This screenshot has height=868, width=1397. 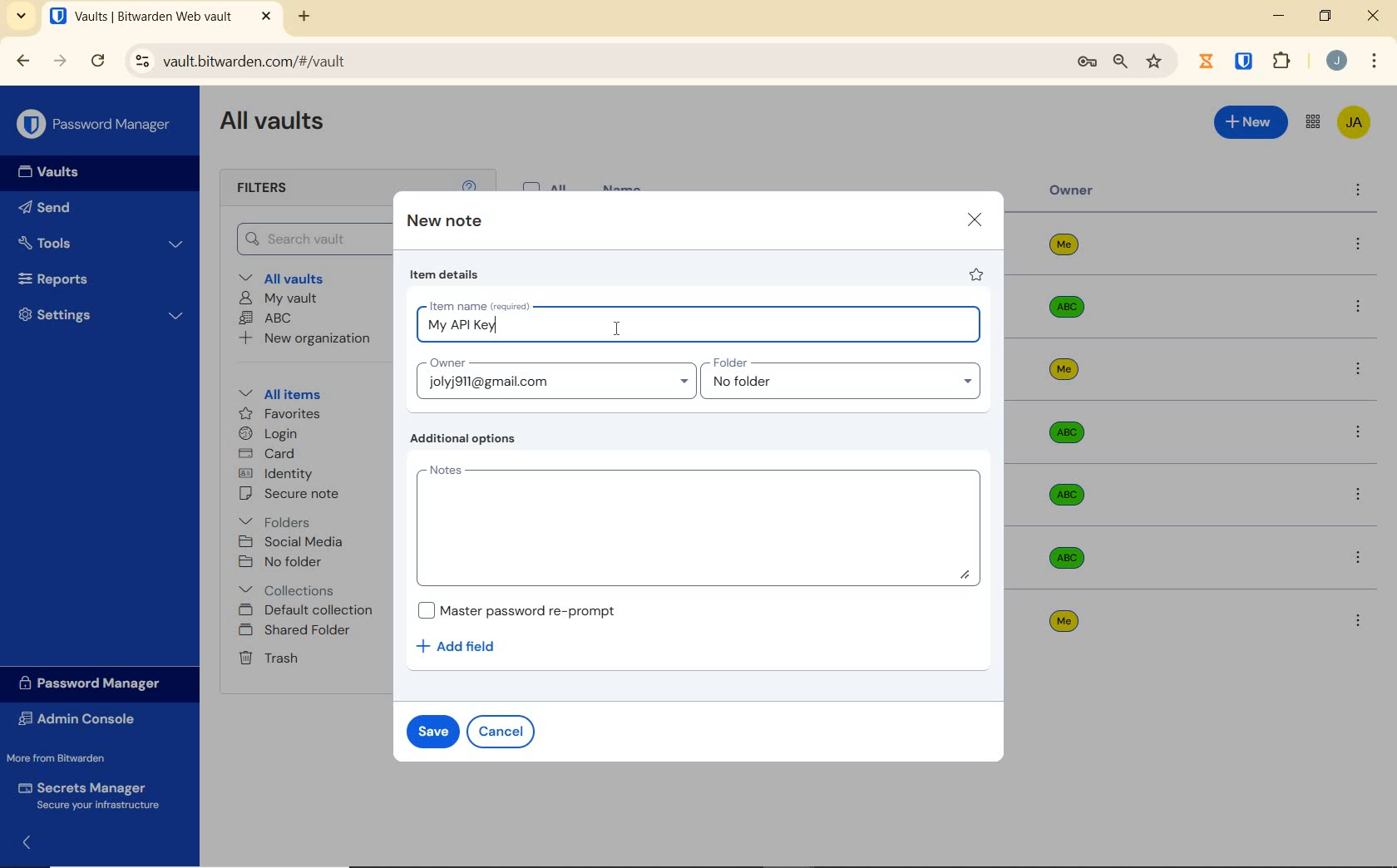 I want to click on item details, so click(x=445, y=277).